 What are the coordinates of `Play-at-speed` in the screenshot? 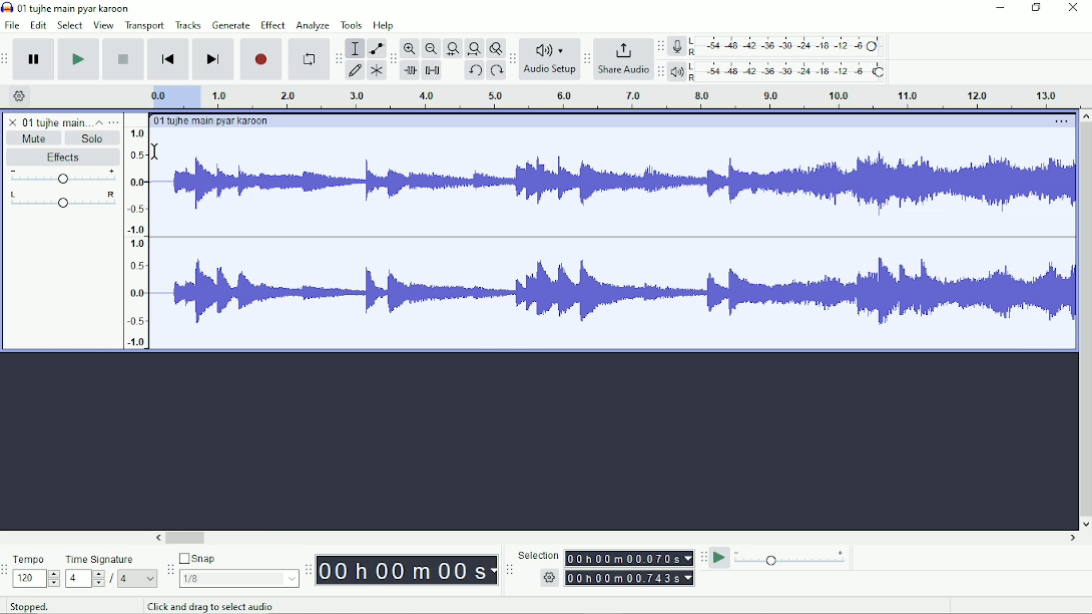 It's located at (721, 558).